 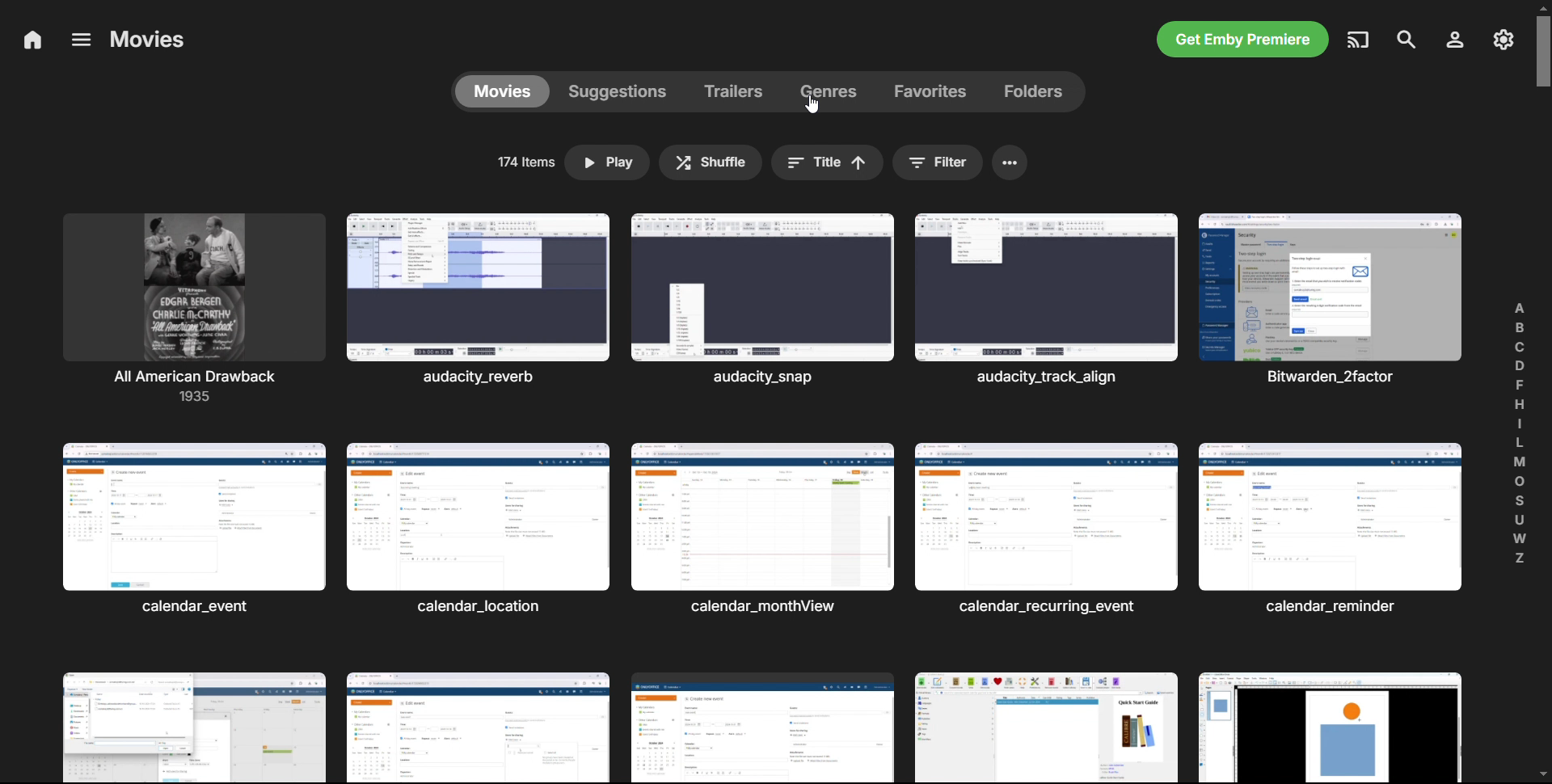 What do you see at coordinates (1453, 40) in the screenshot?
I see `account` at bounding box center [1453, 40].